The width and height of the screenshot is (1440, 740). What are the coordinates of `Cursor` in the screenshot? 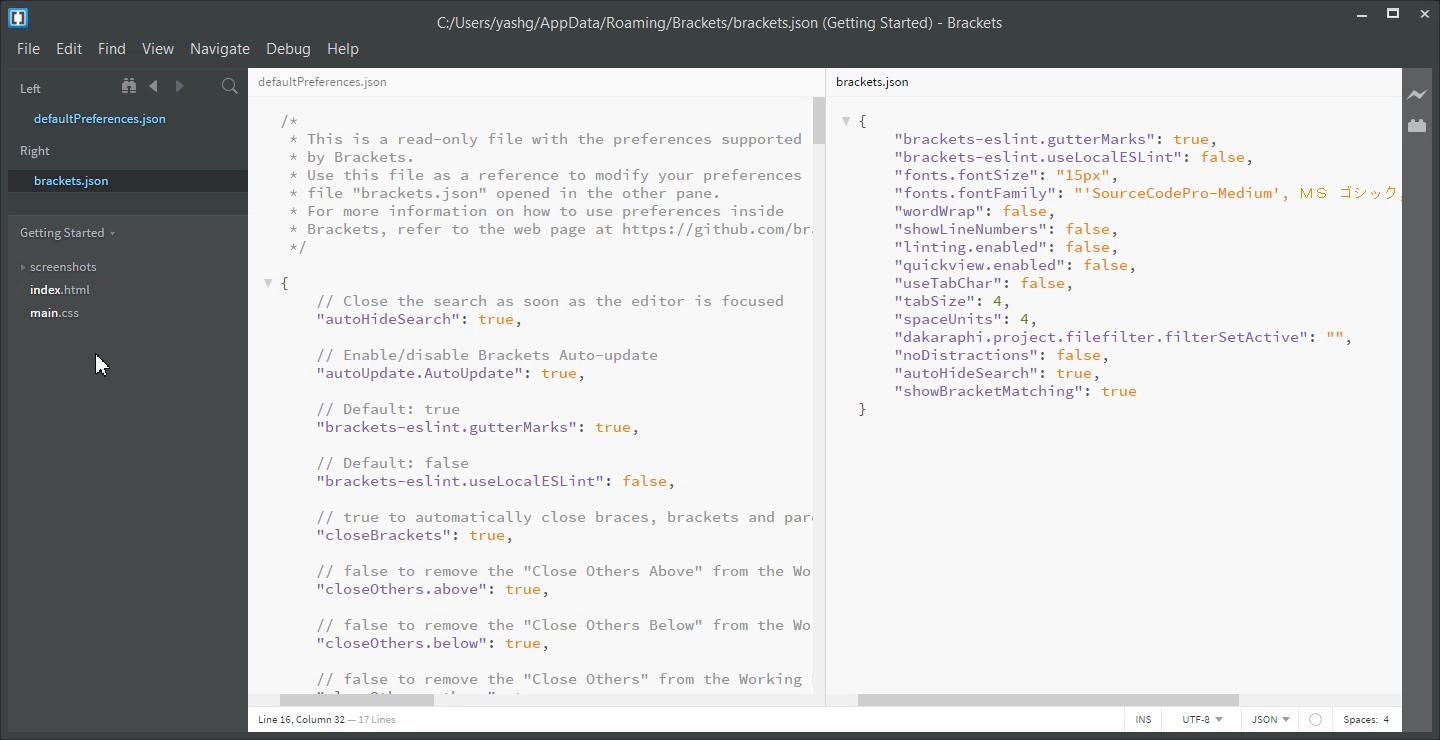 It's located at (104, 367).